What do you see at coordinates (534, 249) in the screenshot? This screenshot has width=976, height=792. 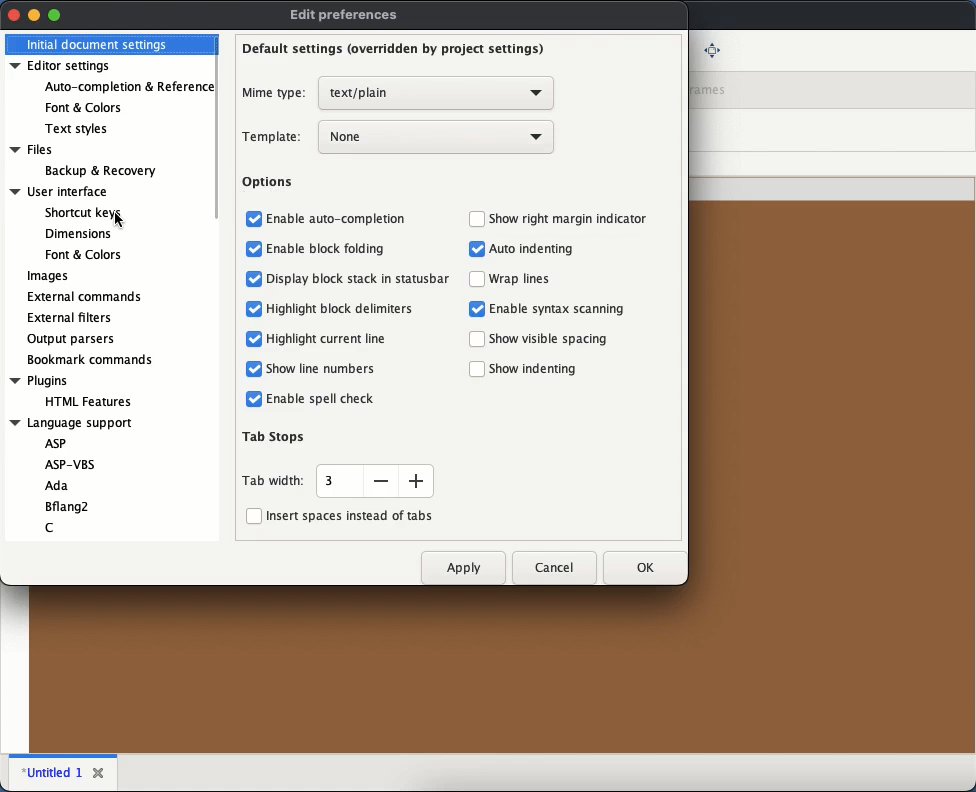 I see `Auto indenting` at bounding box center [534, 249].